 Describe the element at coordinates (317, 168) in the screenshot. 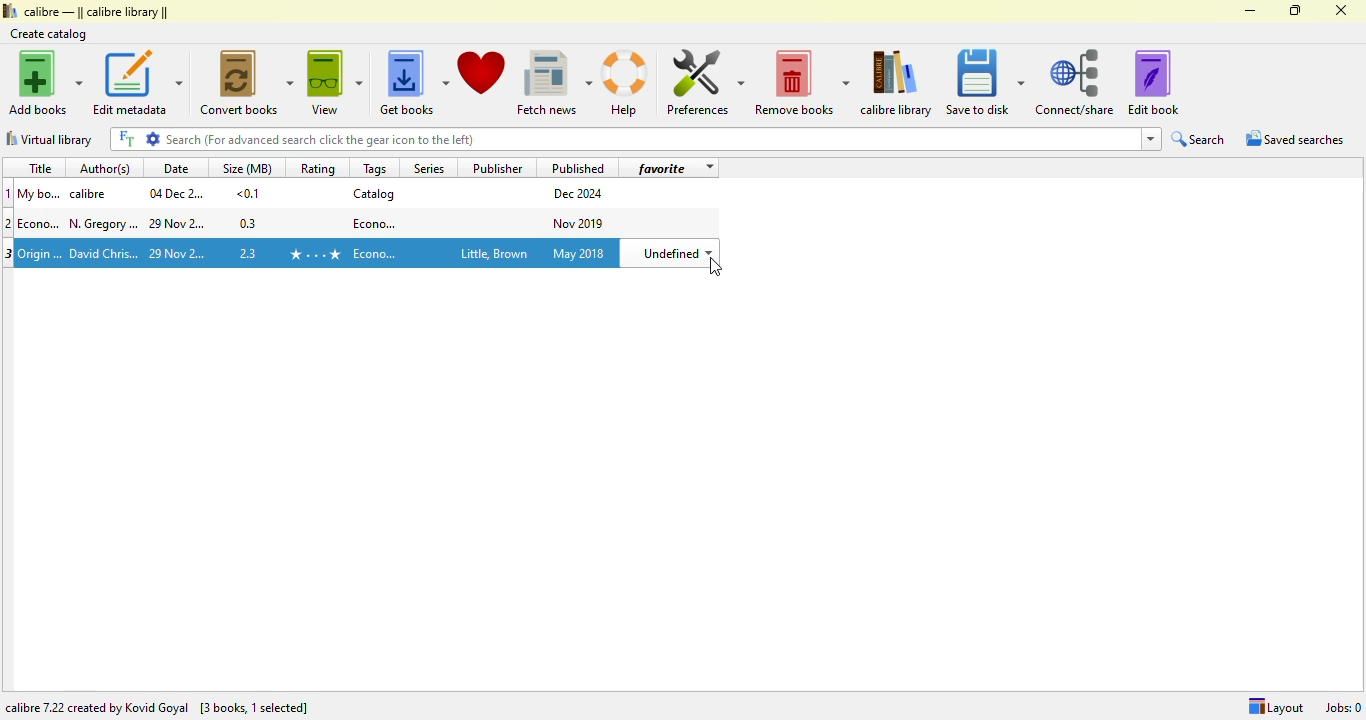

I see `rating` at that location.